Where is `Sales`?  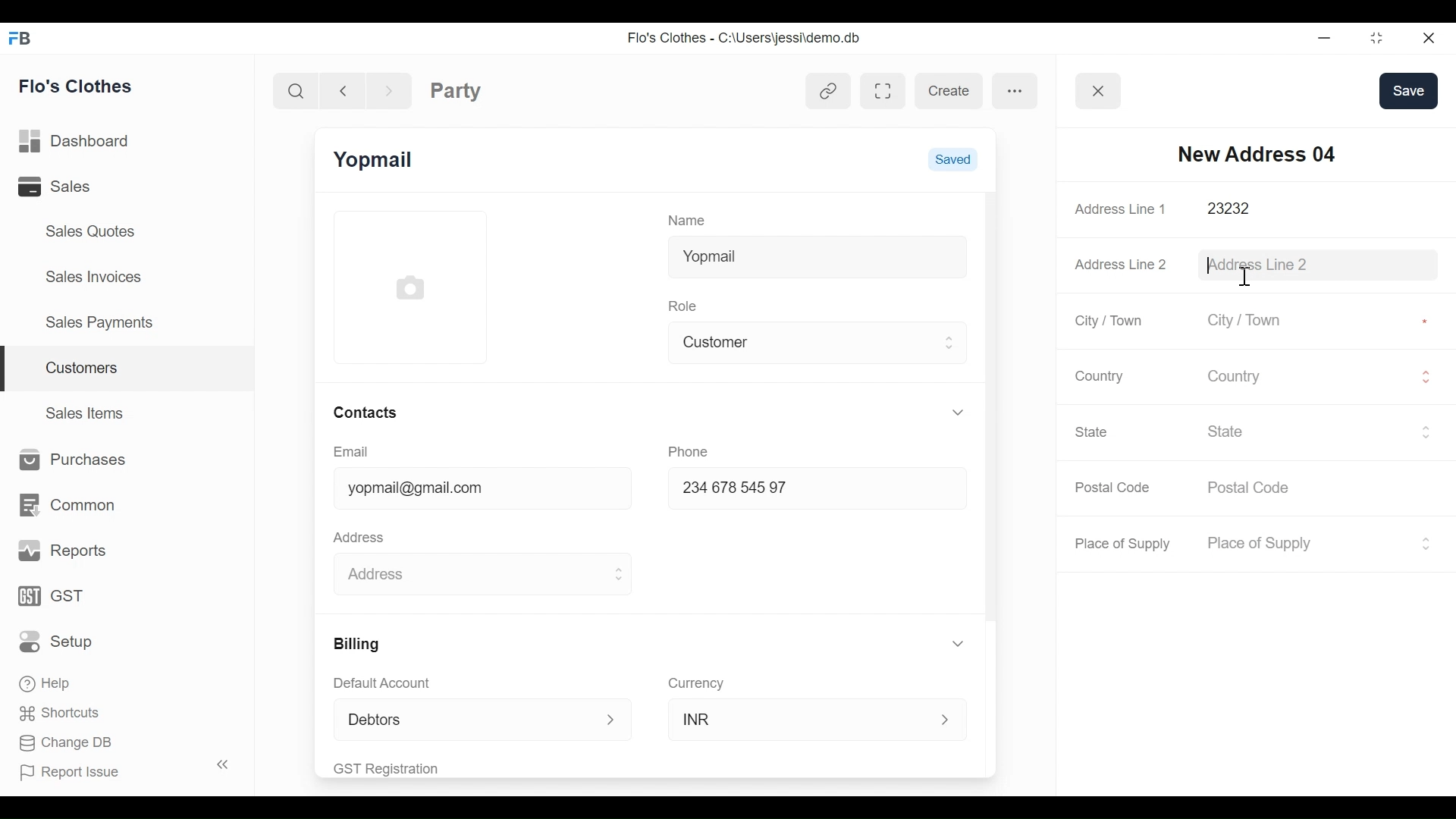 Sales is located at coordinates (75, 186).